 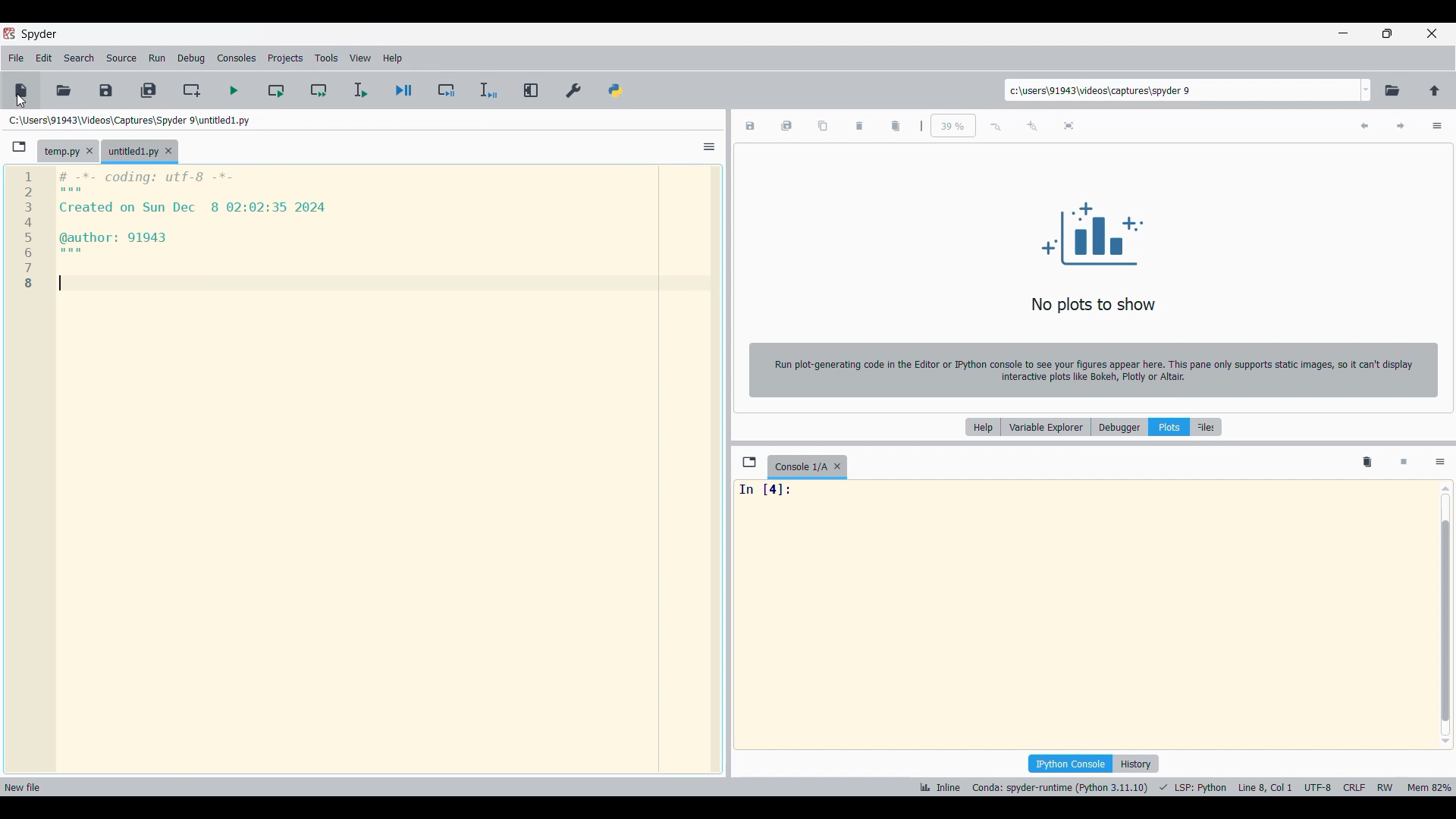 What do you see at coordinates (1045, 427) in the screenshot?
I see `Variable explorer` at bounding box center [1045, 427].